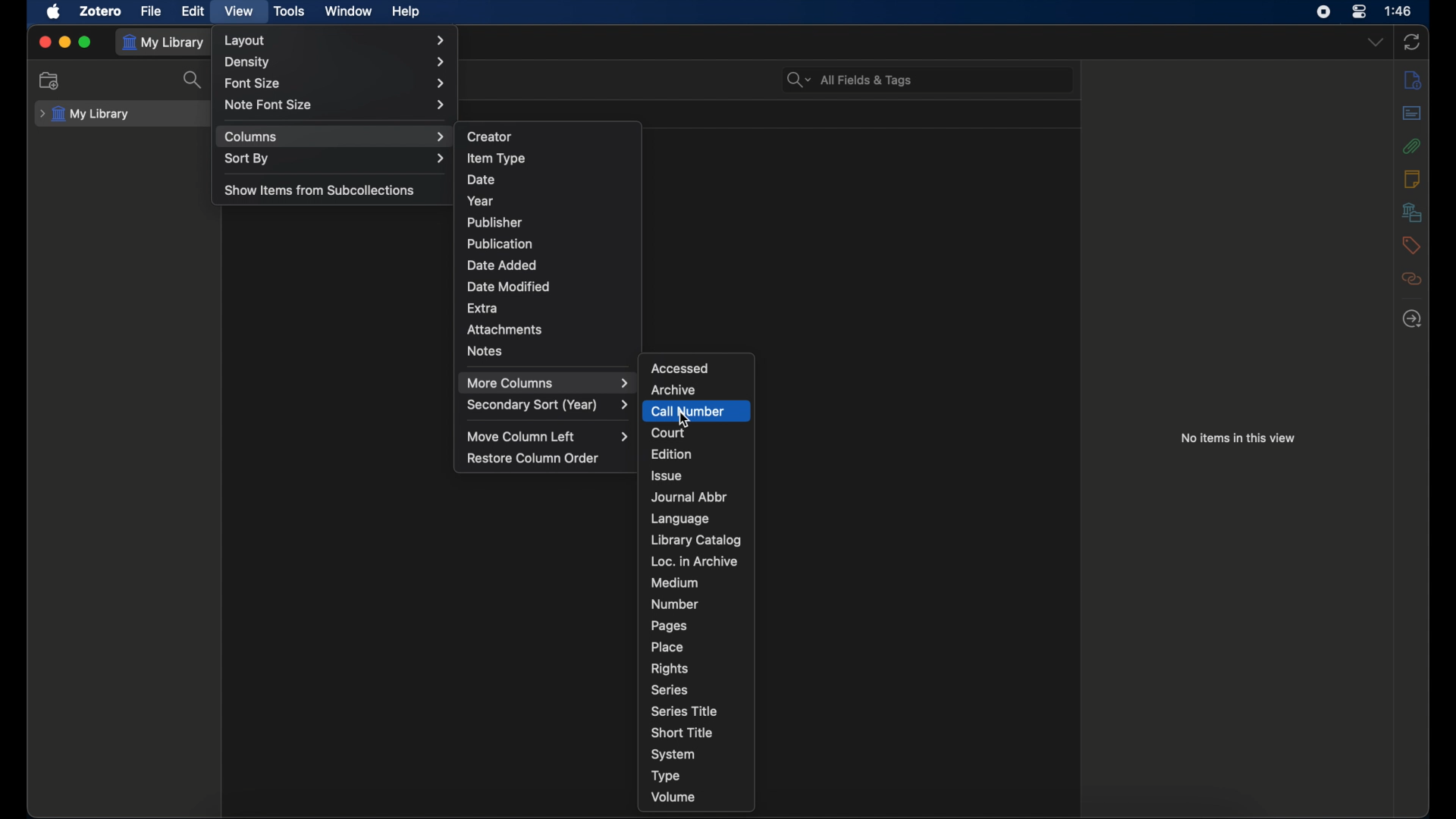 This screenshot has height=819, width=1456. What do you see at coordinates (320, 190) in the screenshot?
I see `show items from subcollections` at bounding box center [320, 190].